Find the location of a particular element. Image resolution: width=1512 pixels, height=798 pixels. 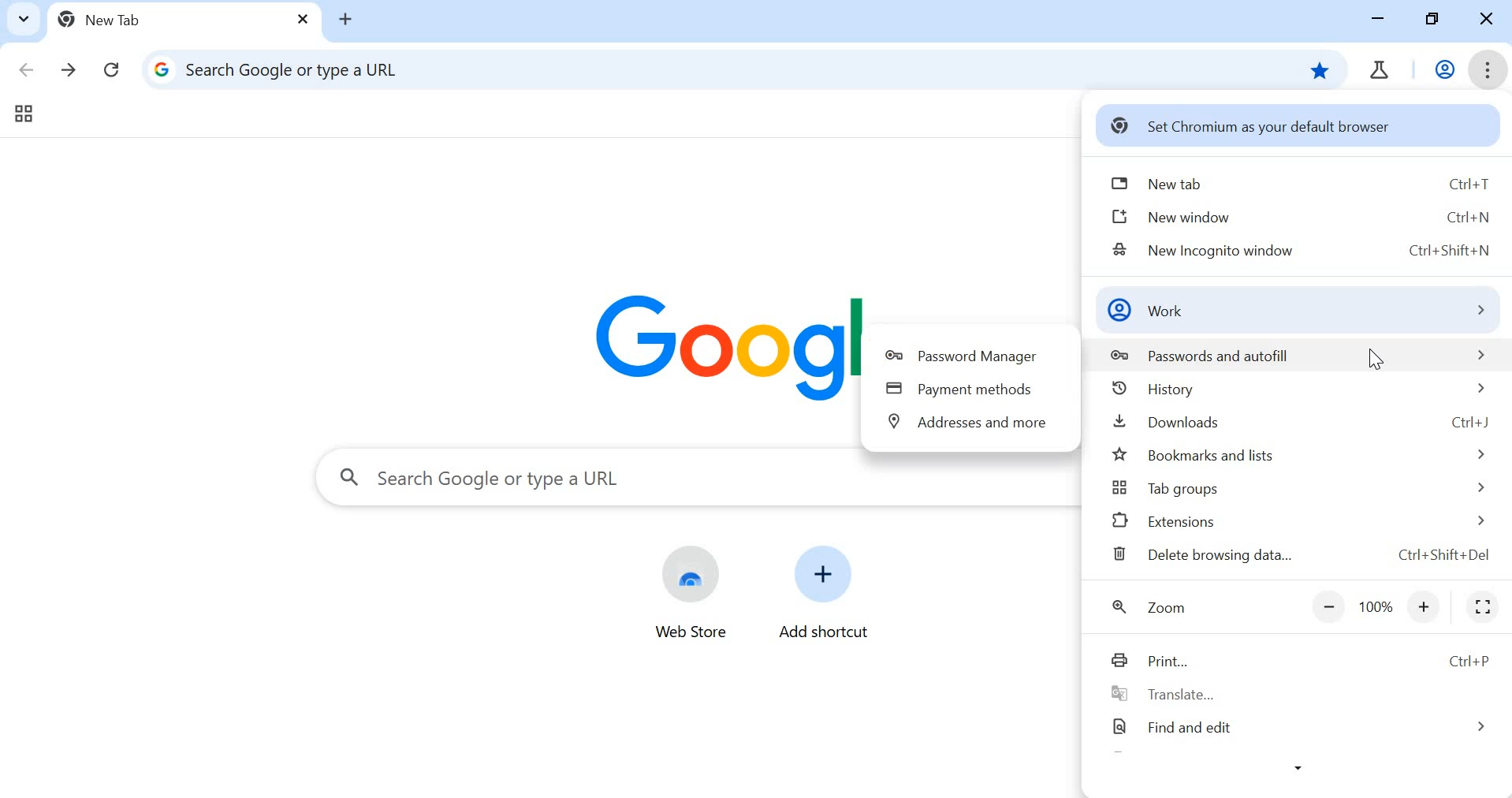

click to go back is located at coordinates (21, 69).